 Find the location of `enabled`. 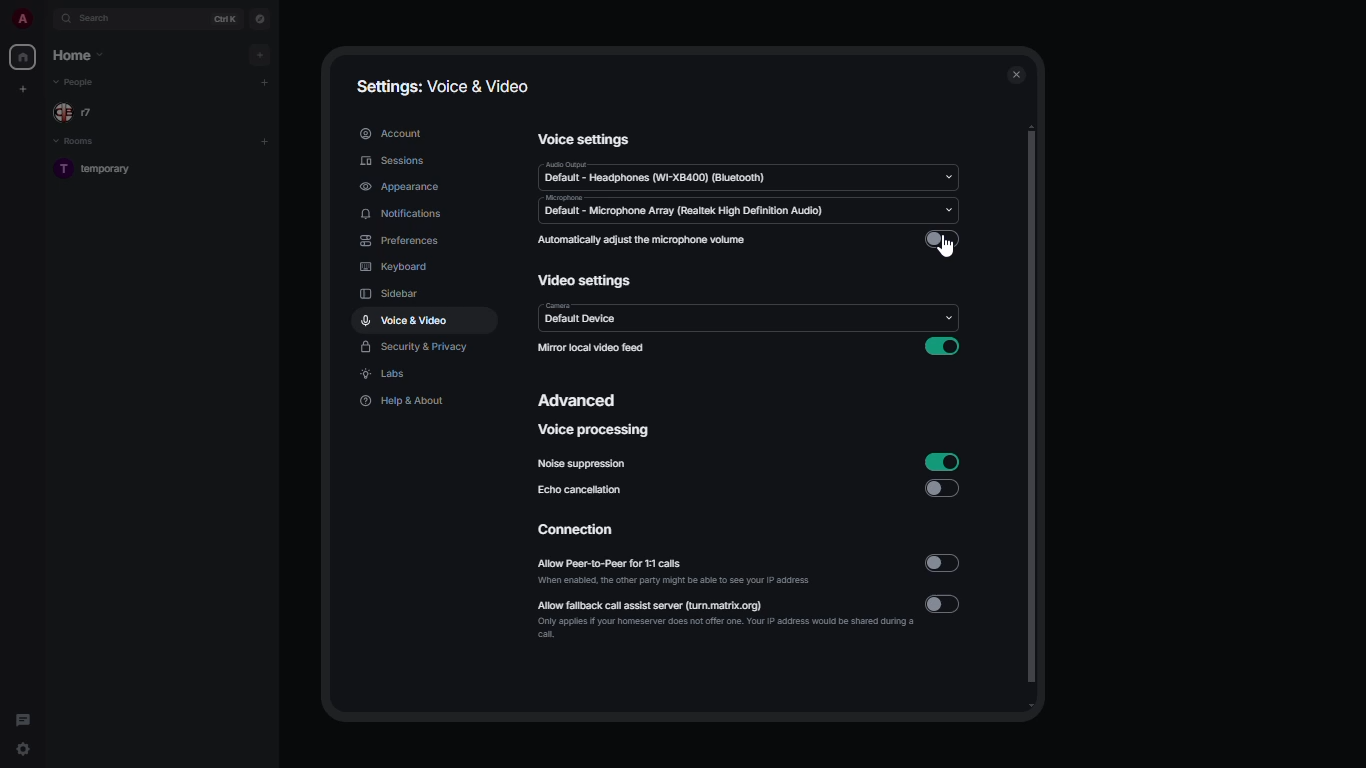

enabled is located at coordinates (943, 461).